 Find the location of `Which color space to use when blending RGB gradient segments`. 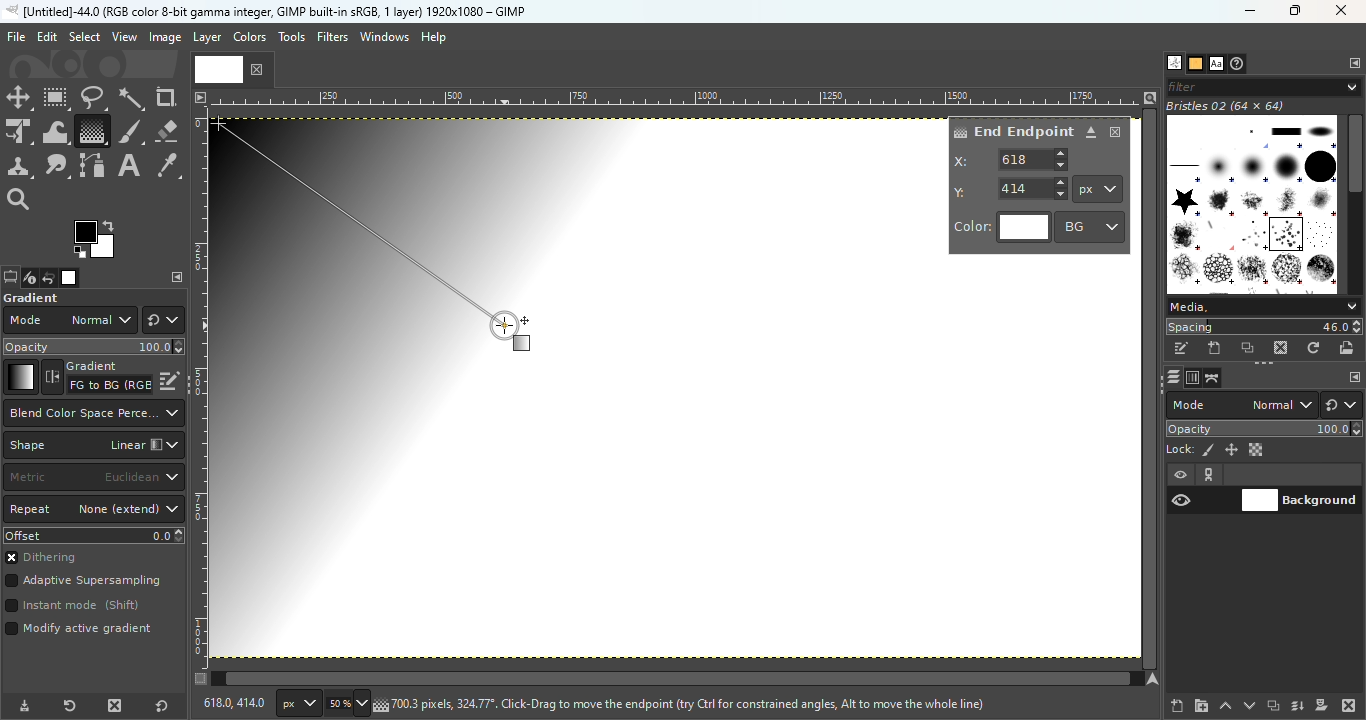

Which color space to use when blending RGB gradient segments is located at coordinates (92, 413).